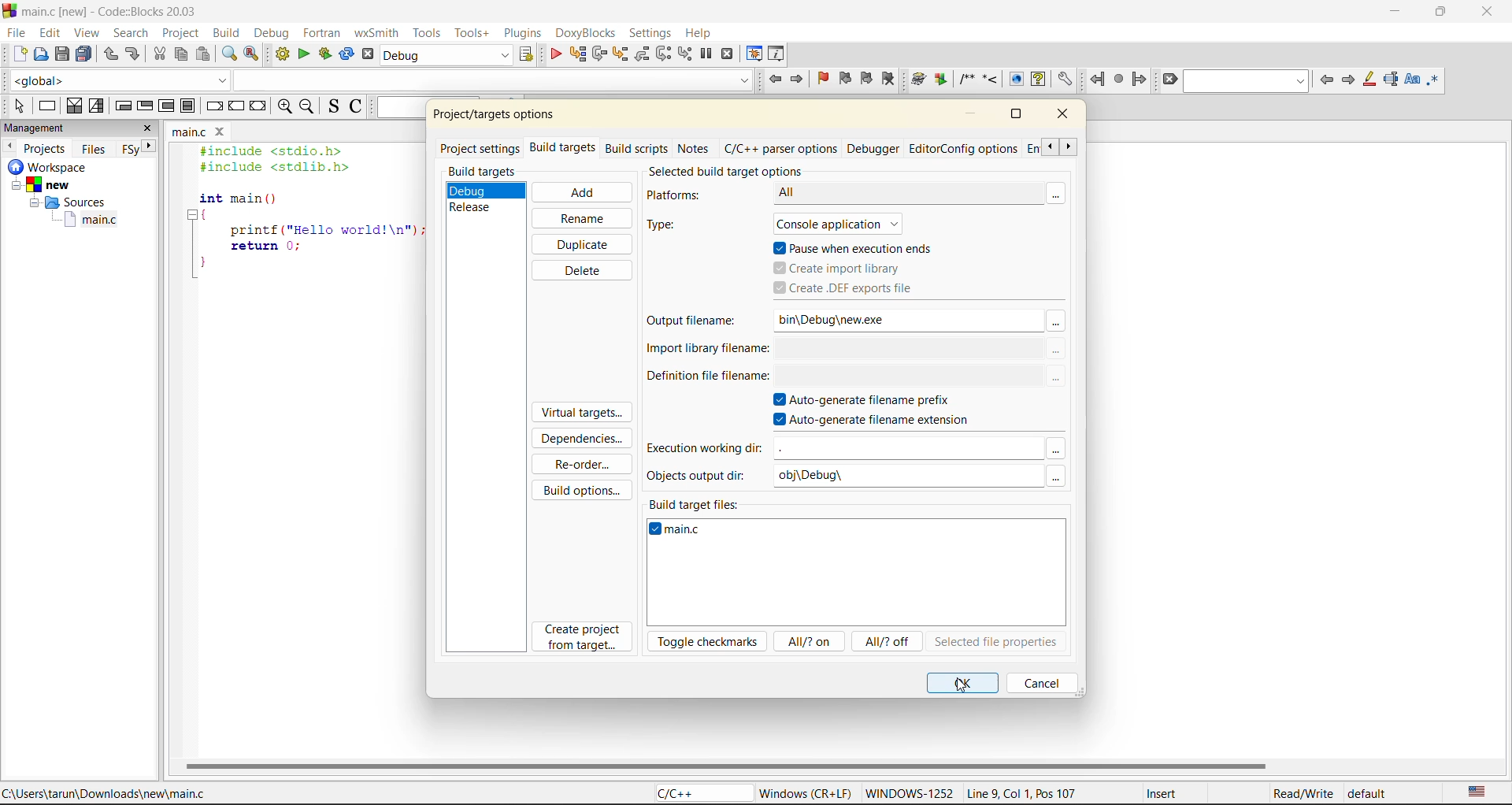  Describe the element at coordinates (587, 441) in the screenshot. I see `dependencies` at that location.